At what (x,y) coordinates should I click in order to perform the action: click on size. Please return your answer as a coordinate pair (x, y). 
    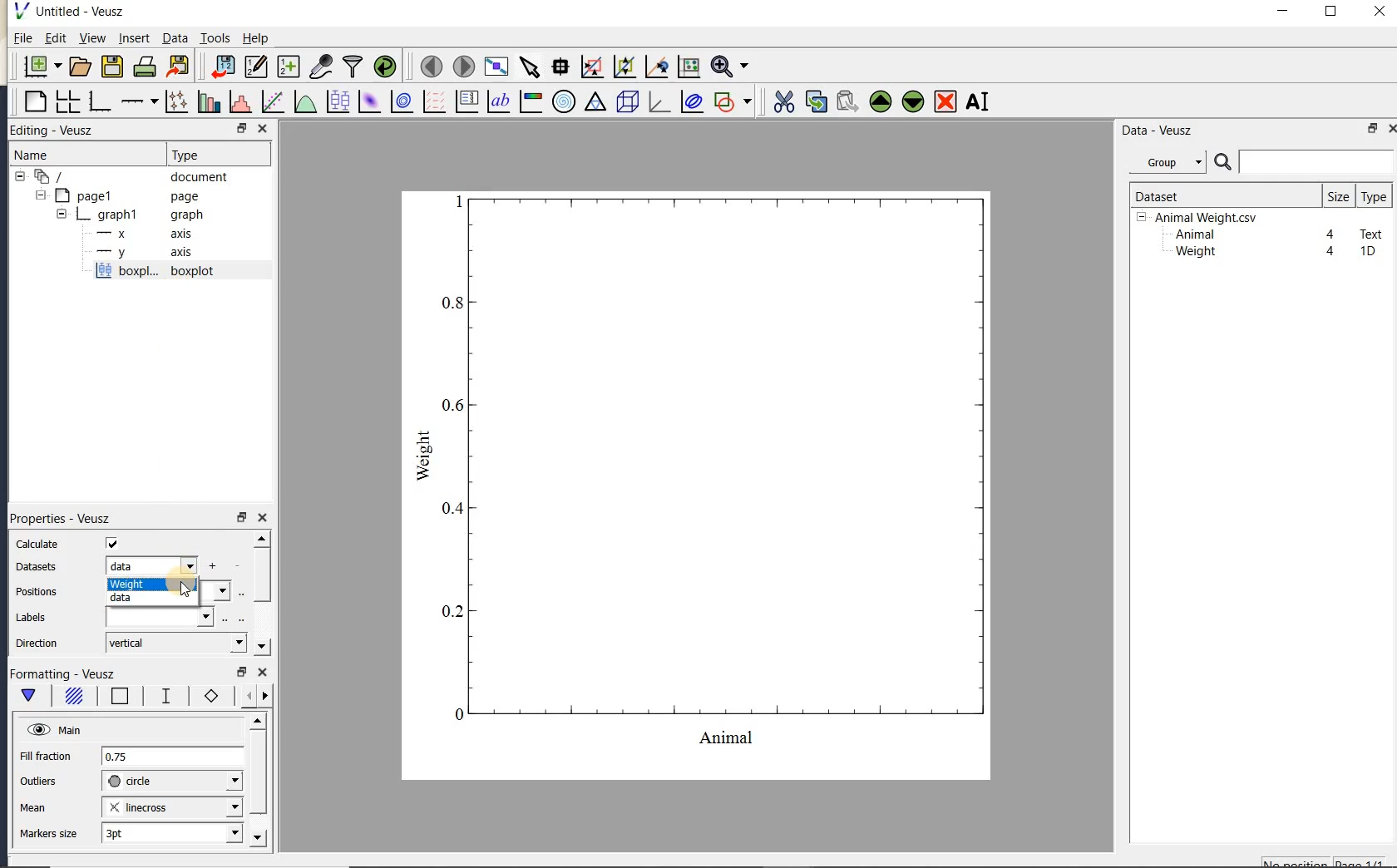
    Looking at the image, I should click on (1338, 195).